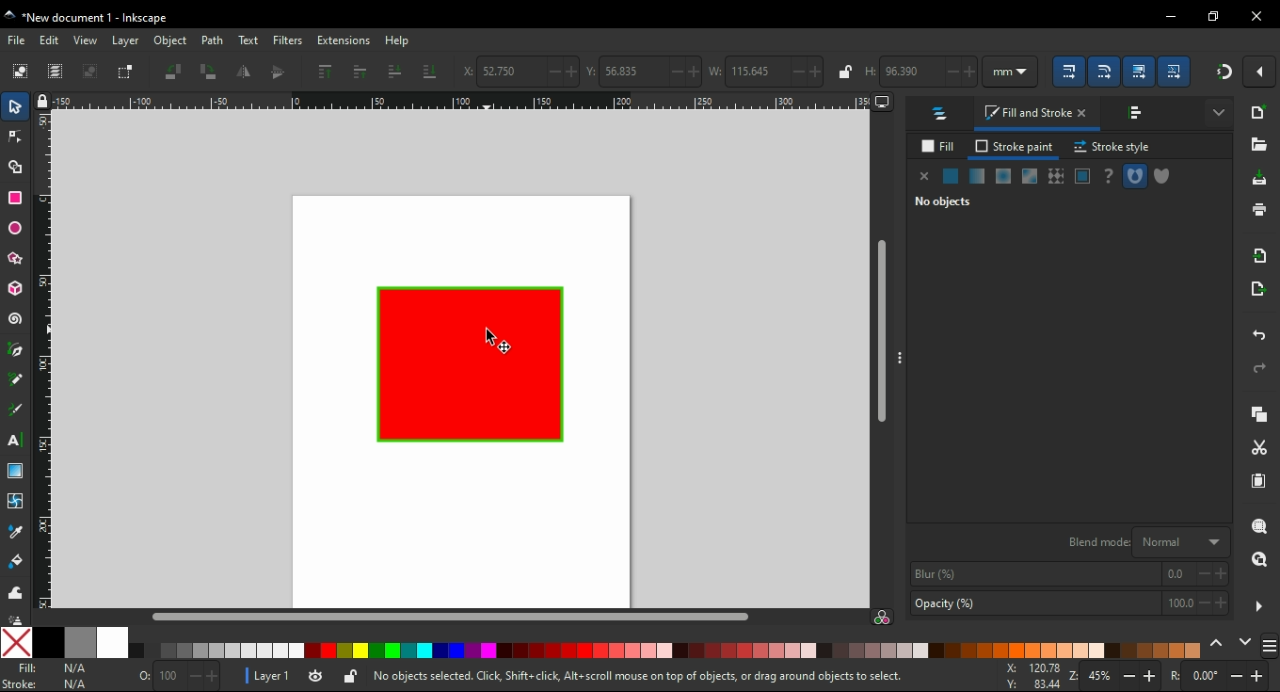  What do you see at coordinates (961, 71) in the screenshot?
I see `increase/decrease` at bounding box center [961, 71].